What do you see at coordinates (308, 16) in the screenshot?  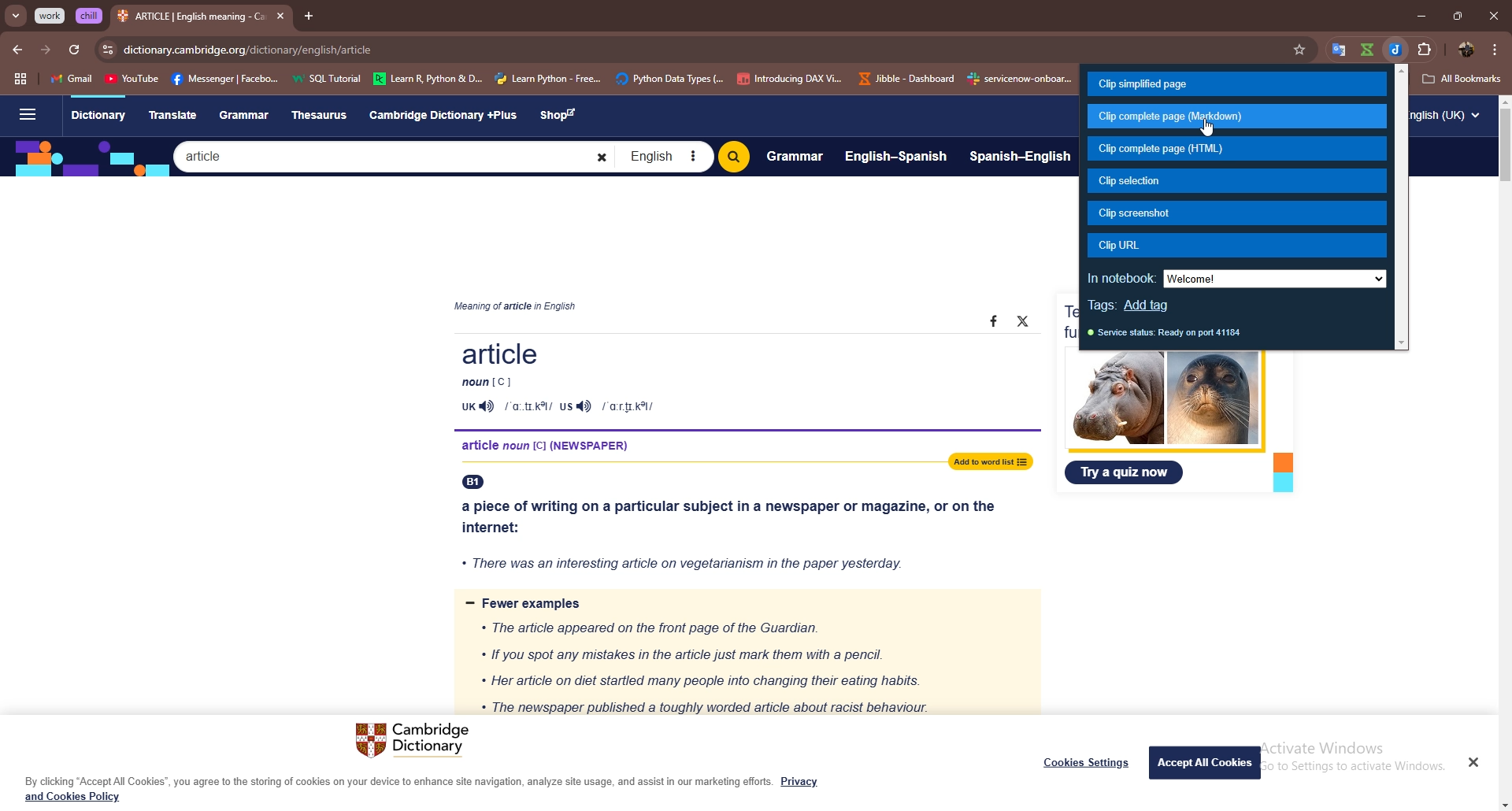 I see `add tab` at bounding box center [308, 16].